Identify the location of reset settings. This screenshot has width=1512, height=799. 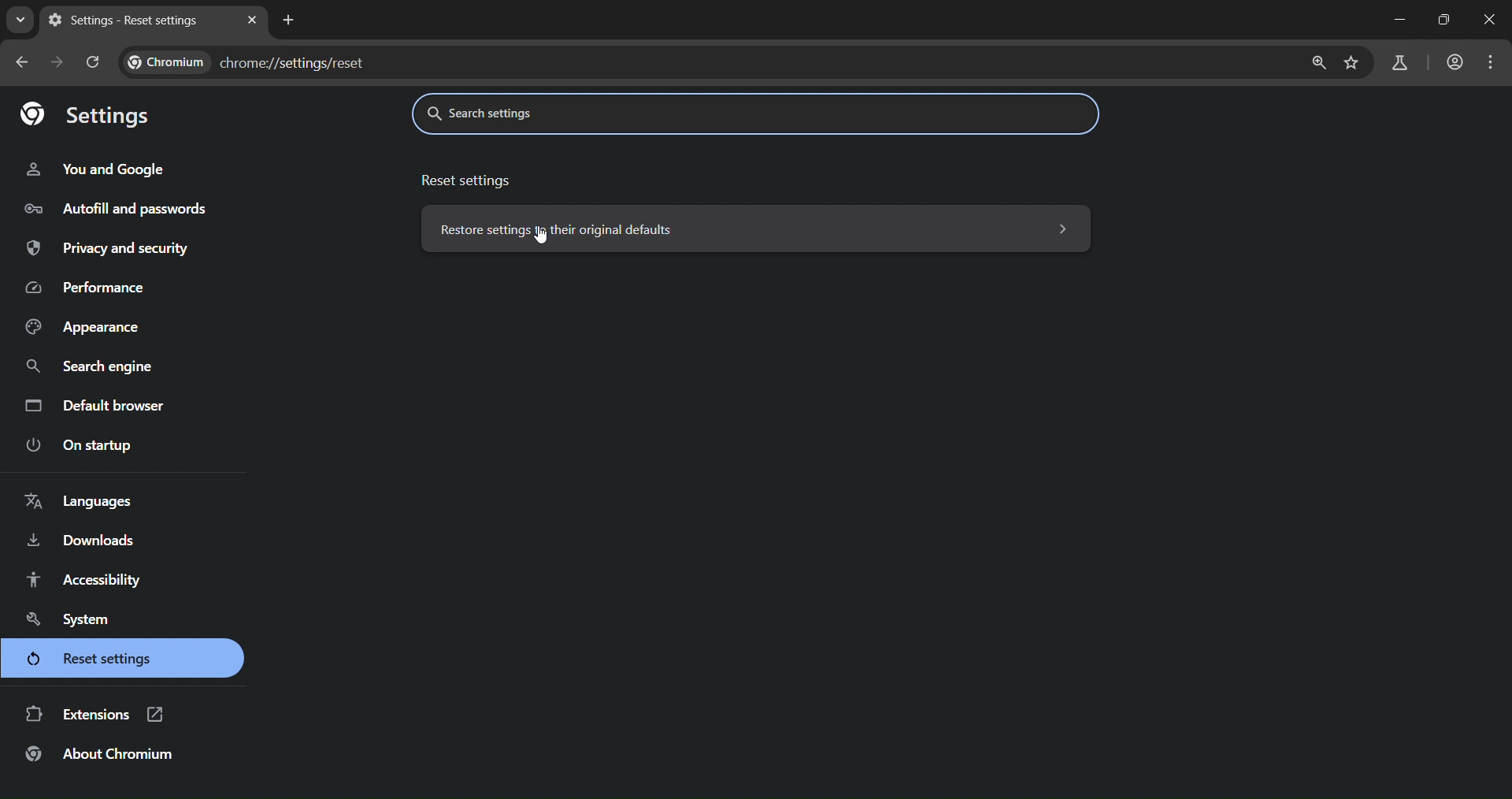
(469, 181).